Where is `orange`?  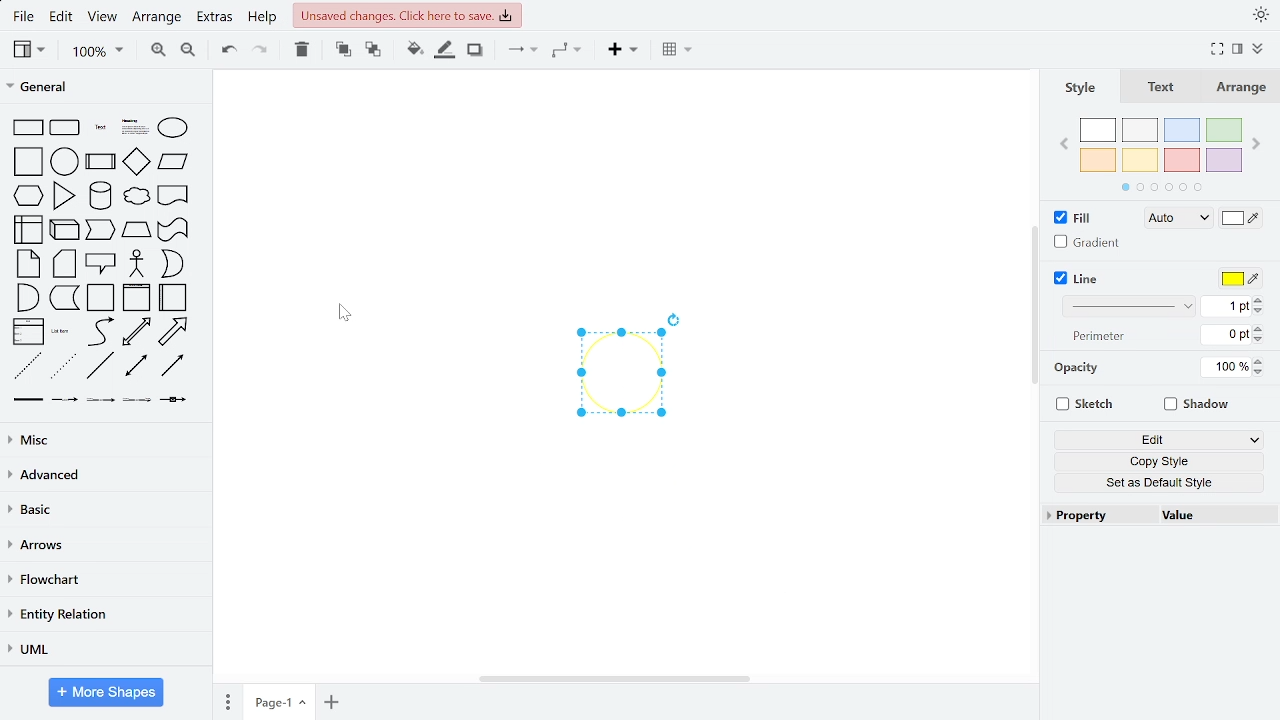 orange is located at coordinates (1098, 159).